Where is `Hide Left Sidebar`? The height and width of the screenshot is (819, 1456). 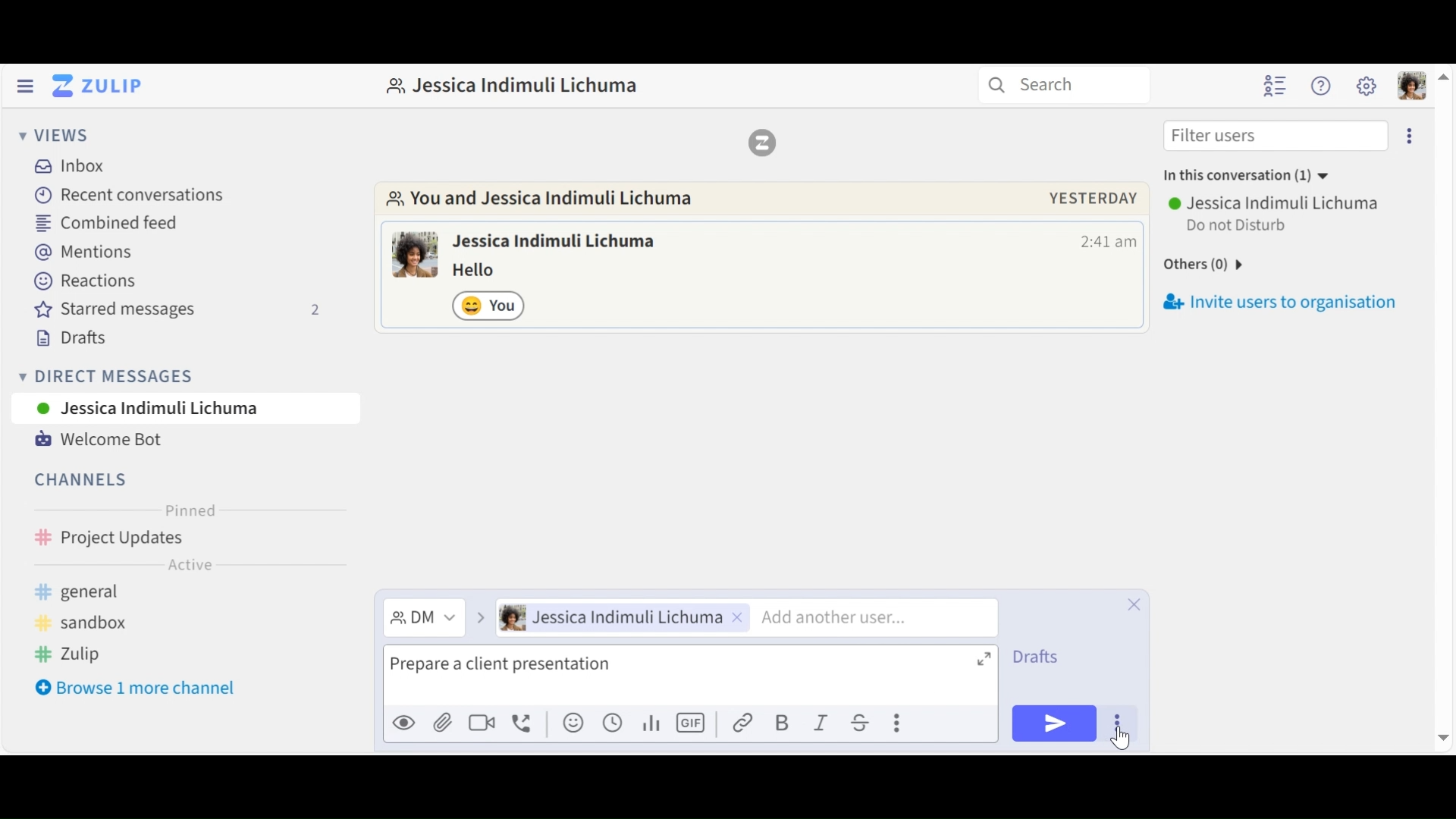 Hide Left Sidebar is located at coordinates (24, 86).